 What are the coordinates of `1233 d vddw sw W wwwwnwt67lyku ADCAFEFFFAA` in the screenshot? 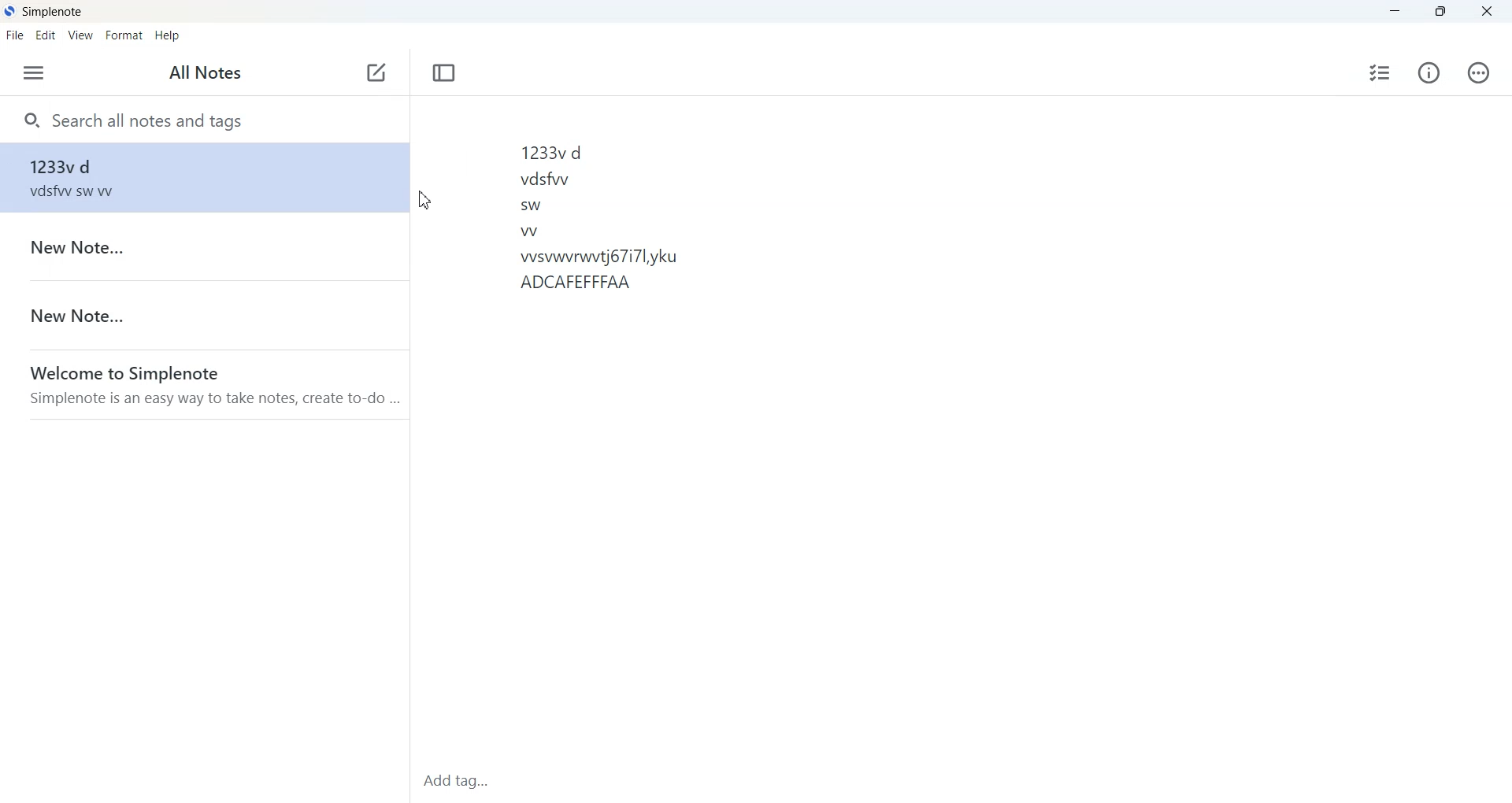 It's located at (756, 427).